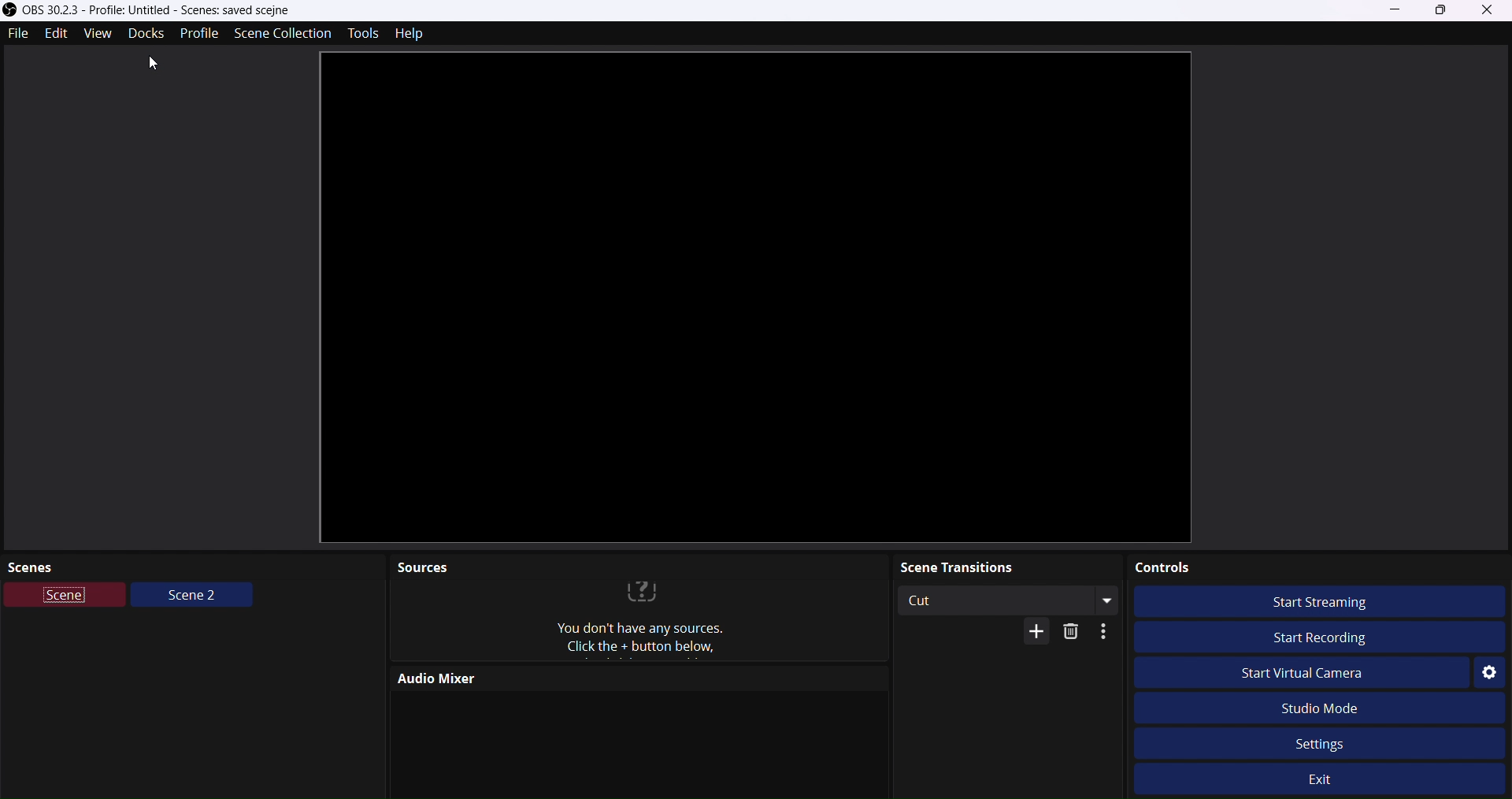 The width and height of the screenshot is (1512, 799). What do you see at coordinates (1032, 630) in the screenshot?
I see `Add` at bounding box center [1032, 630].